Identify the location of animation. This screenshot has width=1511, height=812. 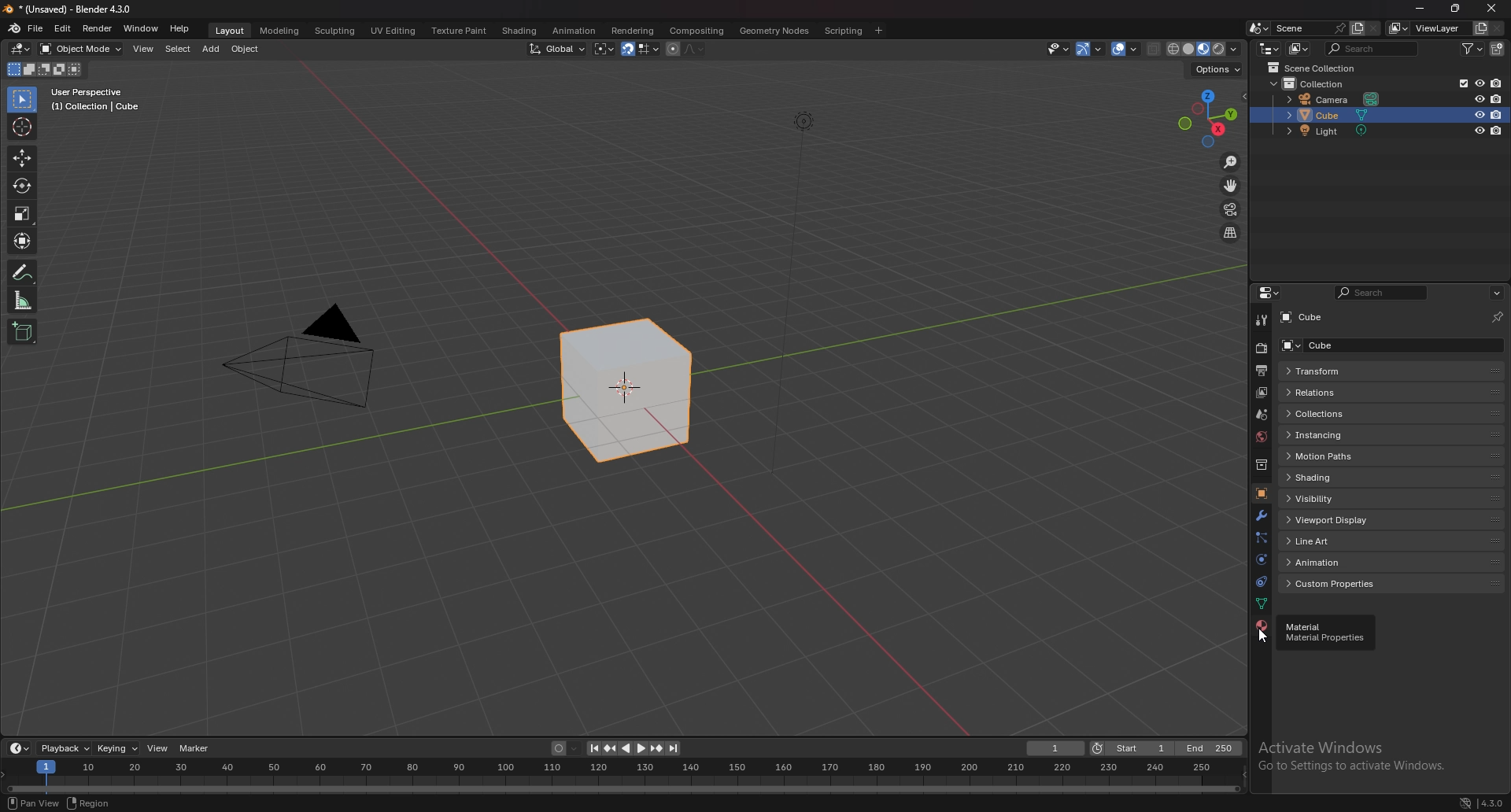
(1390, 562).